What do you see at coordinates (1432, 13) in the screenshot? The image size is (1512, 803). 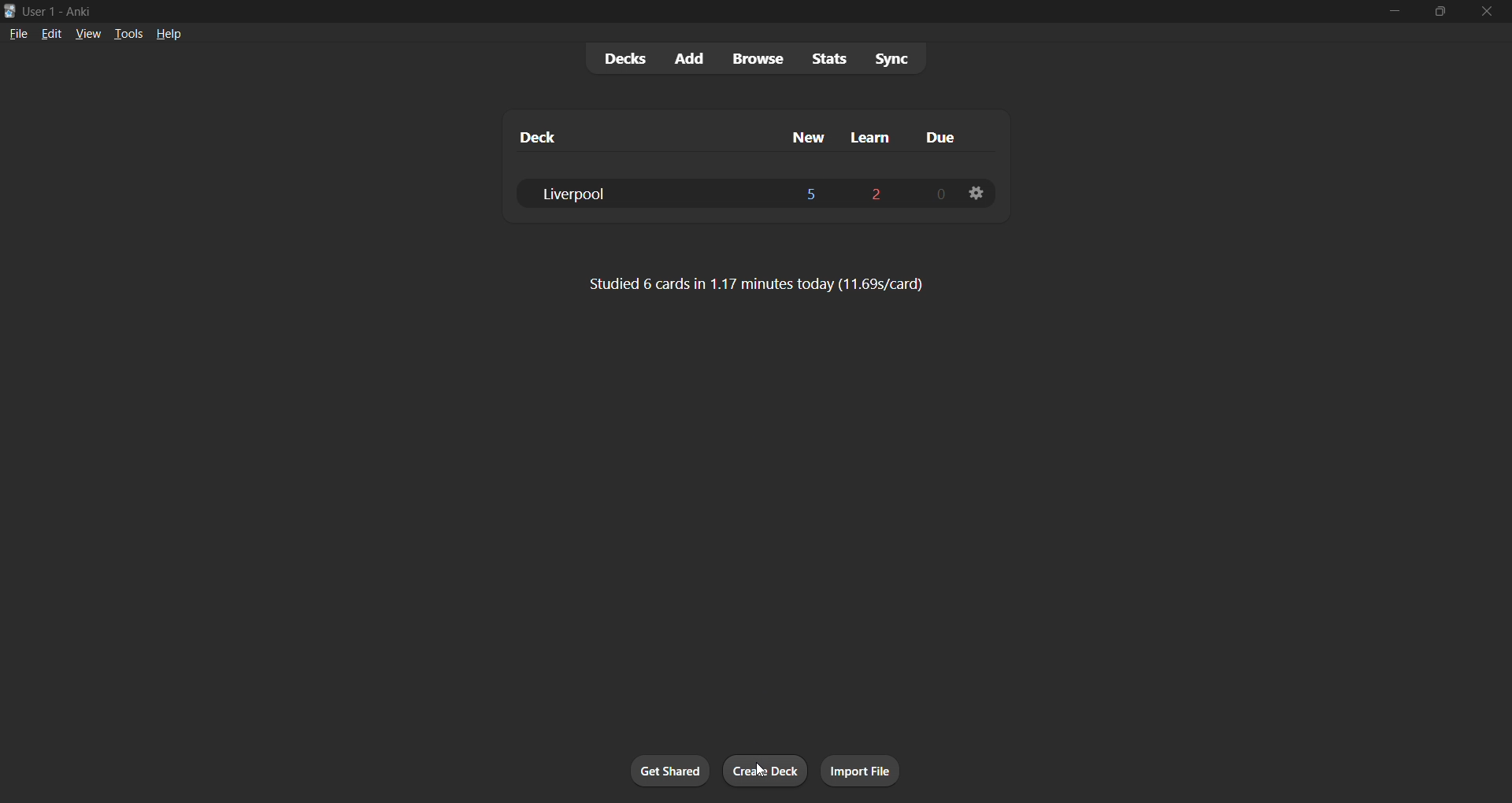 I see `maximize/restore` at bounding box center [1432, 13].